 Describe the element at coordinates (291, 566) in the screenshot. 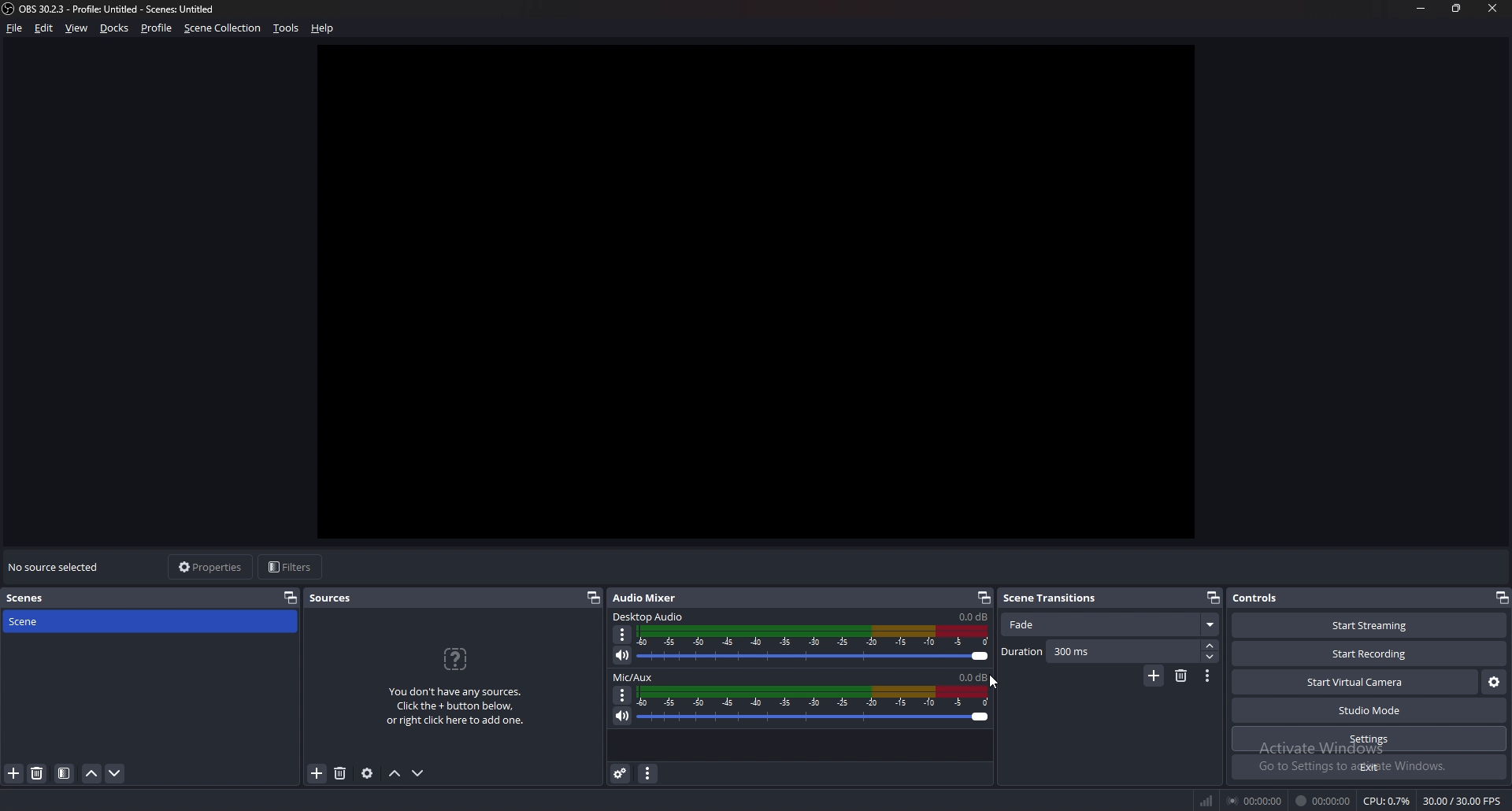

I see `filters` at that location.